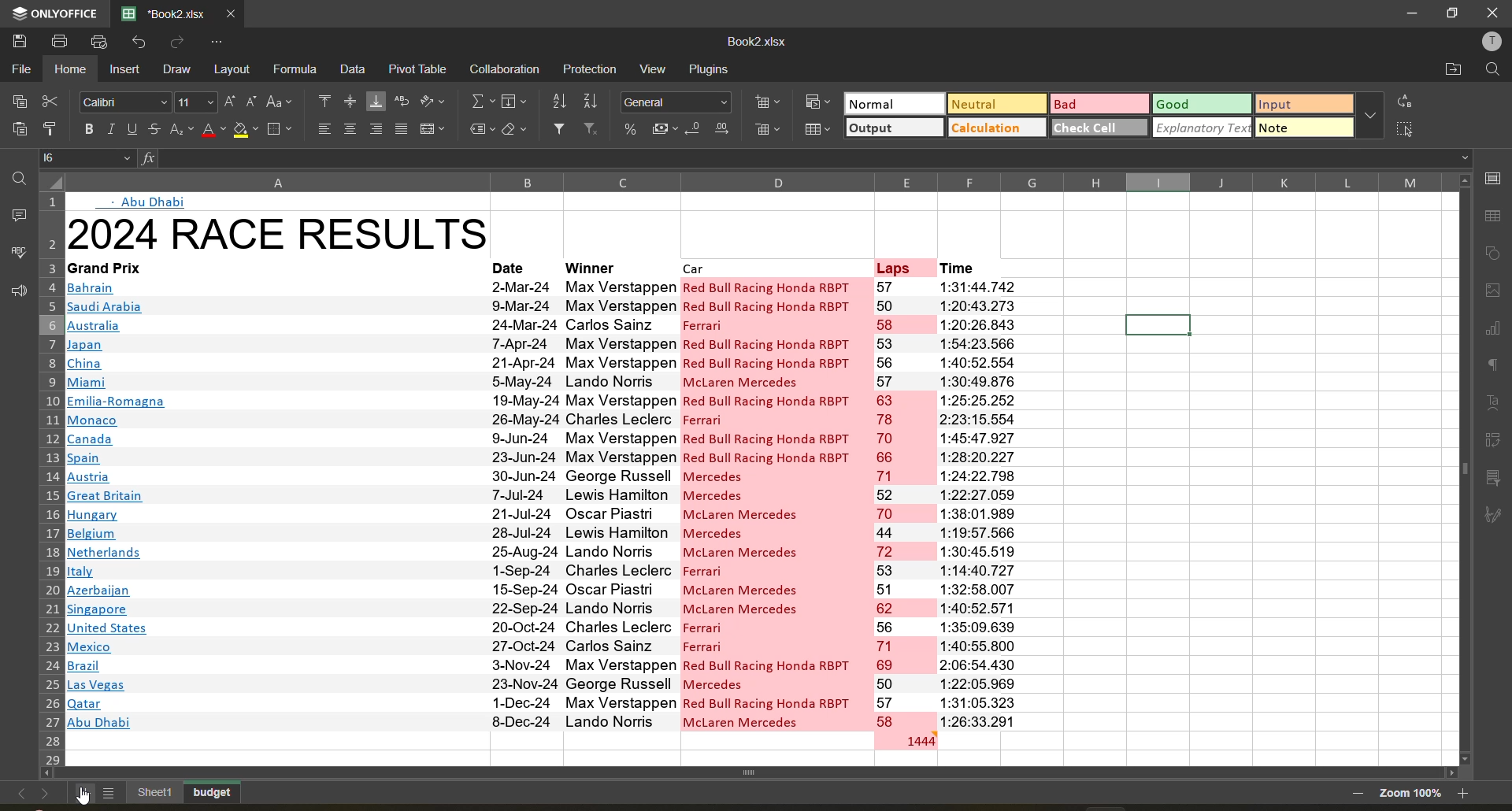 Image resolution: width=1512 pixels, height=811 pixels. What do you see at coordinates (402, 131) in the screenshot?
I see `justified` at bounding box center [402, 131].